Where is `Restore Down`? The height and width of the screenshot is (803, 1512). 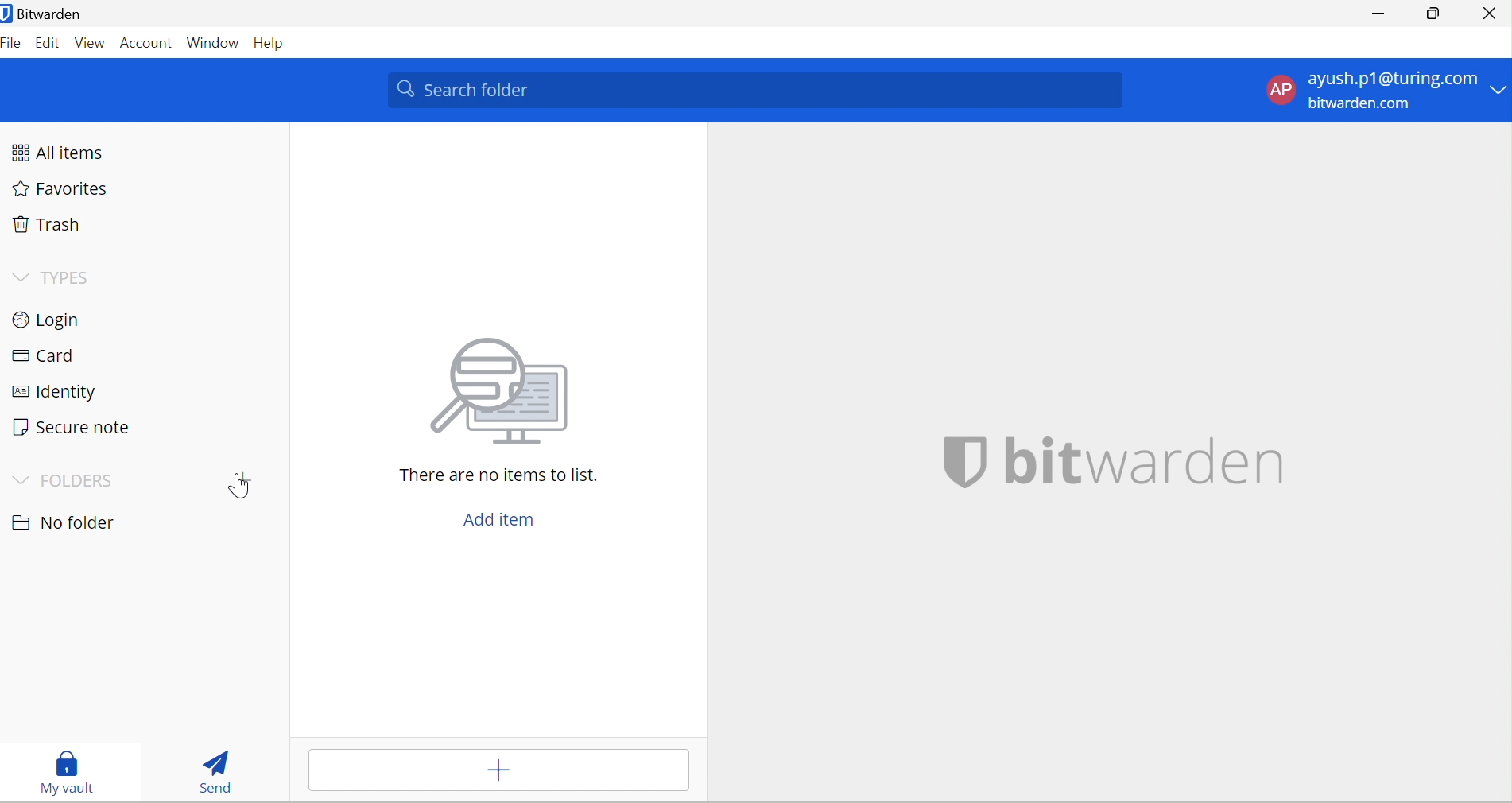 Restore Down is located at coordinates (1436, 13).